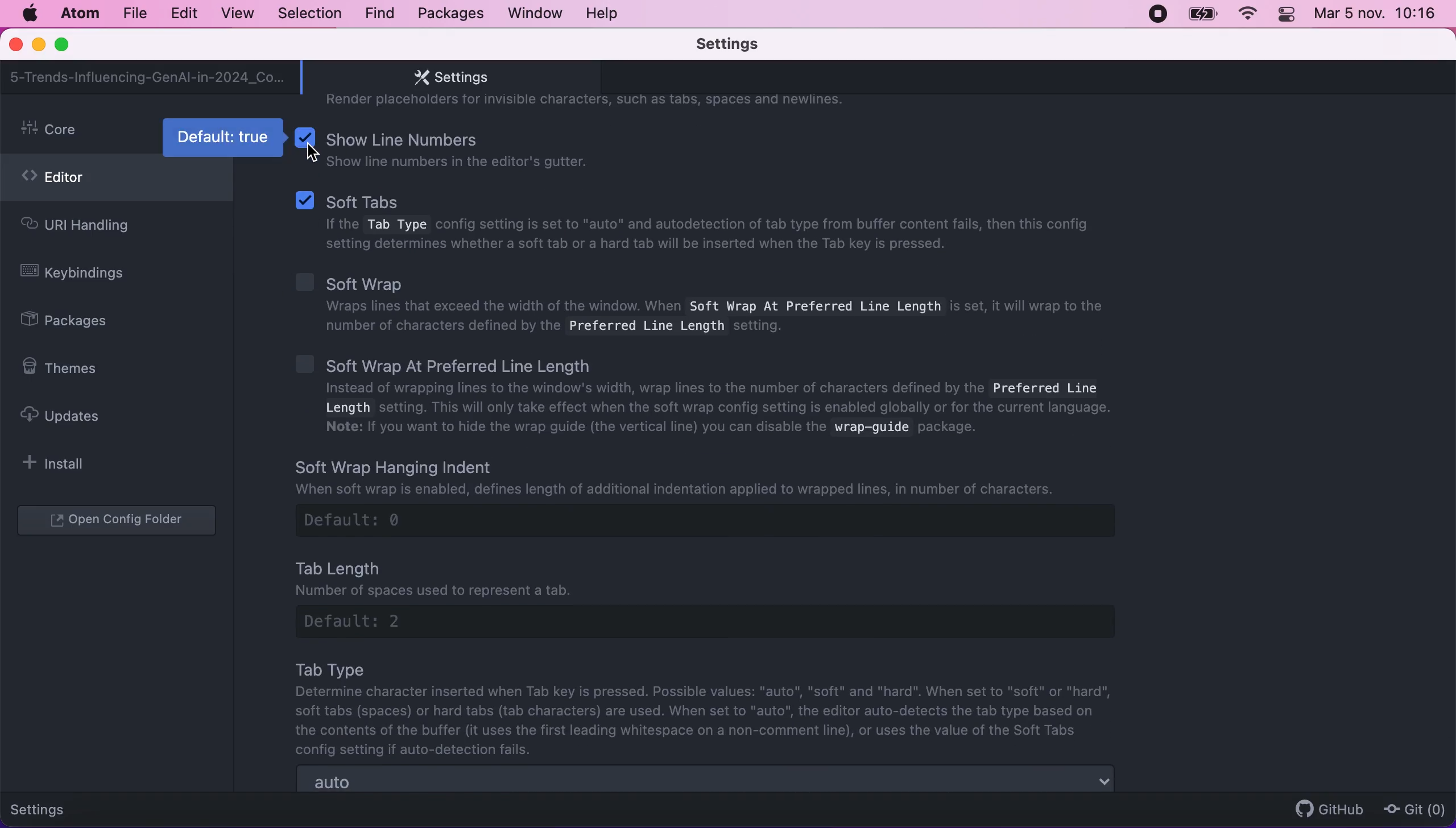  Describe the element at coordinates (225, 136) in the screenshot. I see `default: true` at that location.